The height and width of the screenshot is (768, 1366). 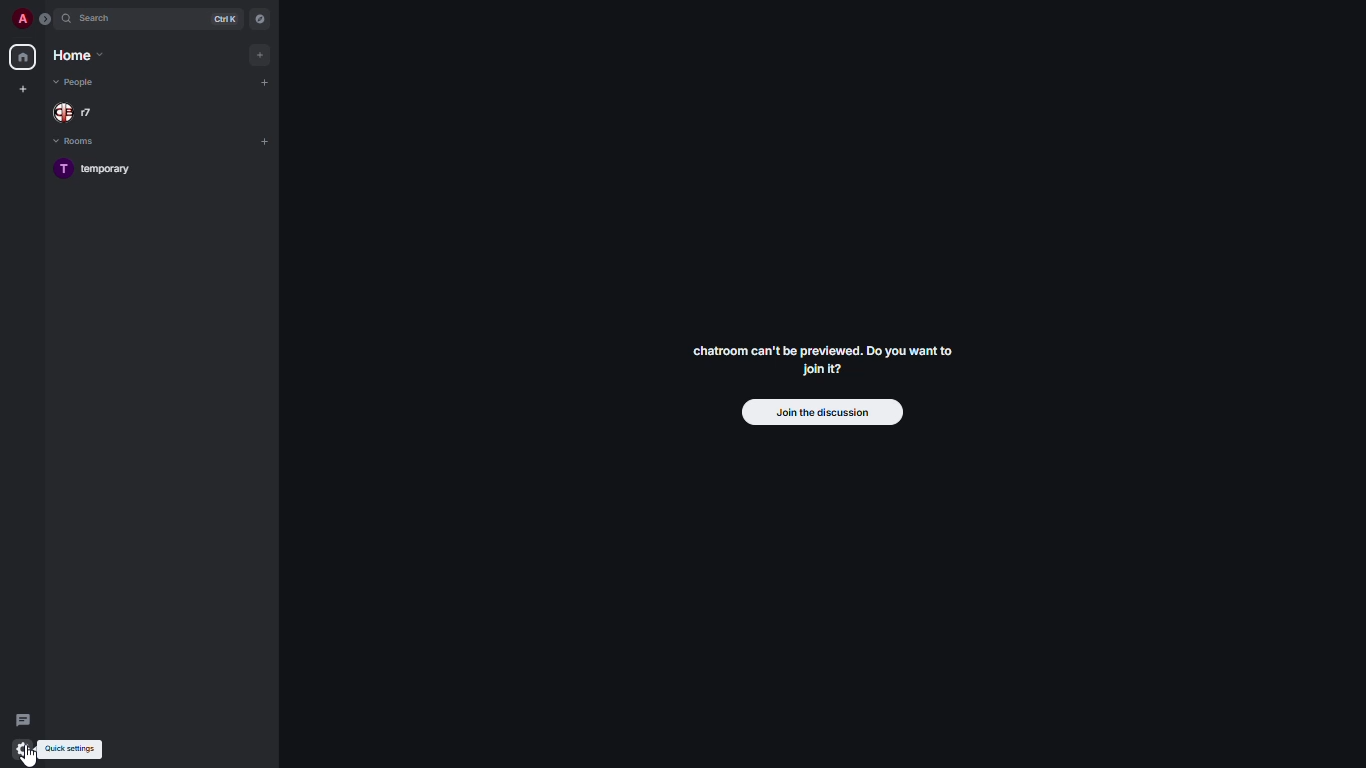 I want to click on navigator, so click(x=260, y=19).